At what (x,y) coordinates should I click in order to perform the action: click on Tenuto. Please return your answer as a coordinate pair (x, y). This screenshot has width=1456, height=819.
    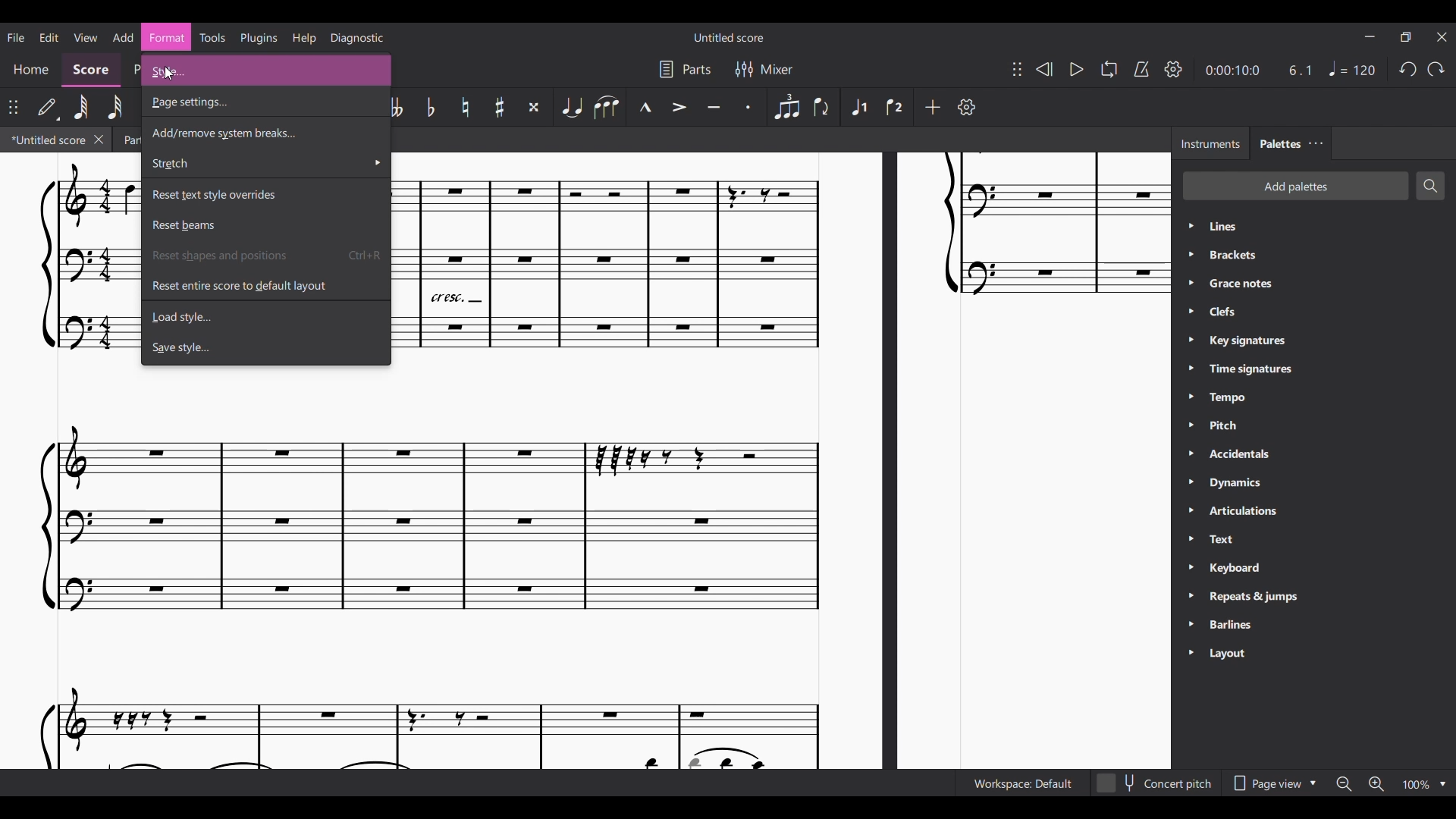
    Looking at the image, I should click on (714, 107).